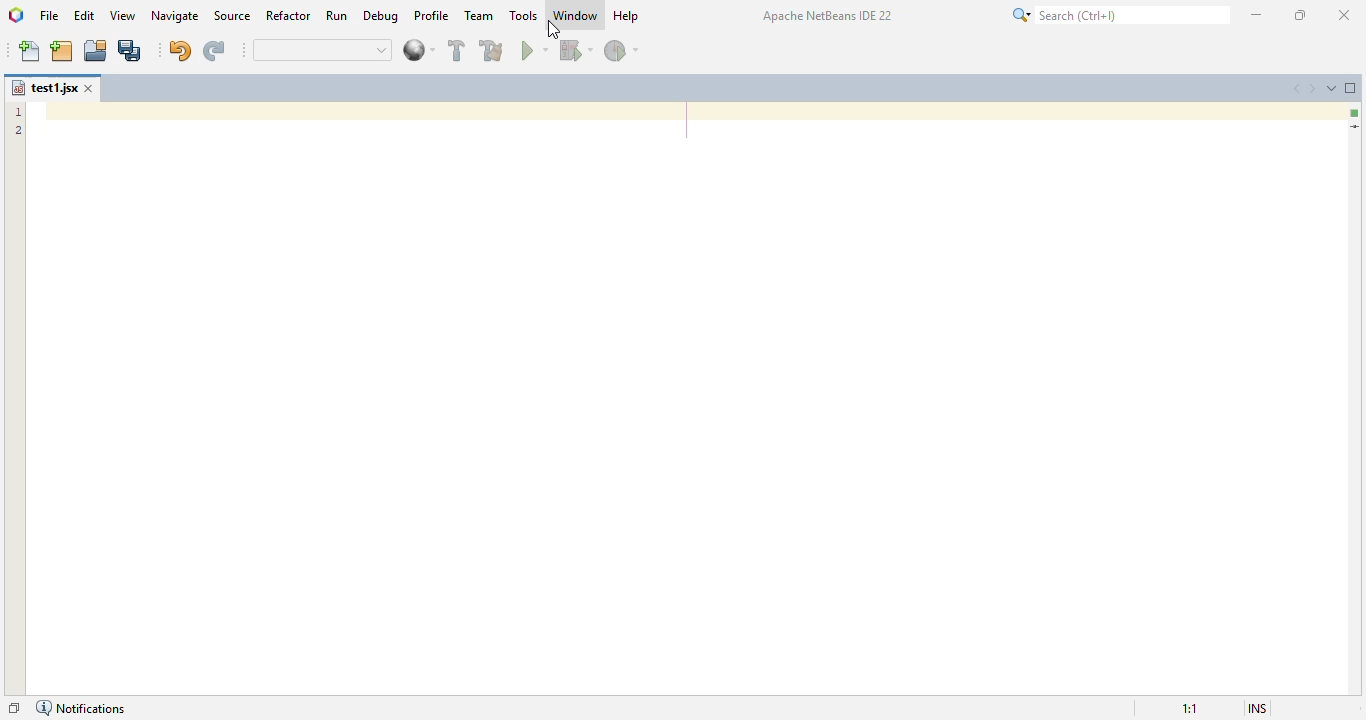 The width and height of the screenshot is (1366, 720). Describe the element at coordinates (232, 15) in the screenshot. I see `source` at that location.